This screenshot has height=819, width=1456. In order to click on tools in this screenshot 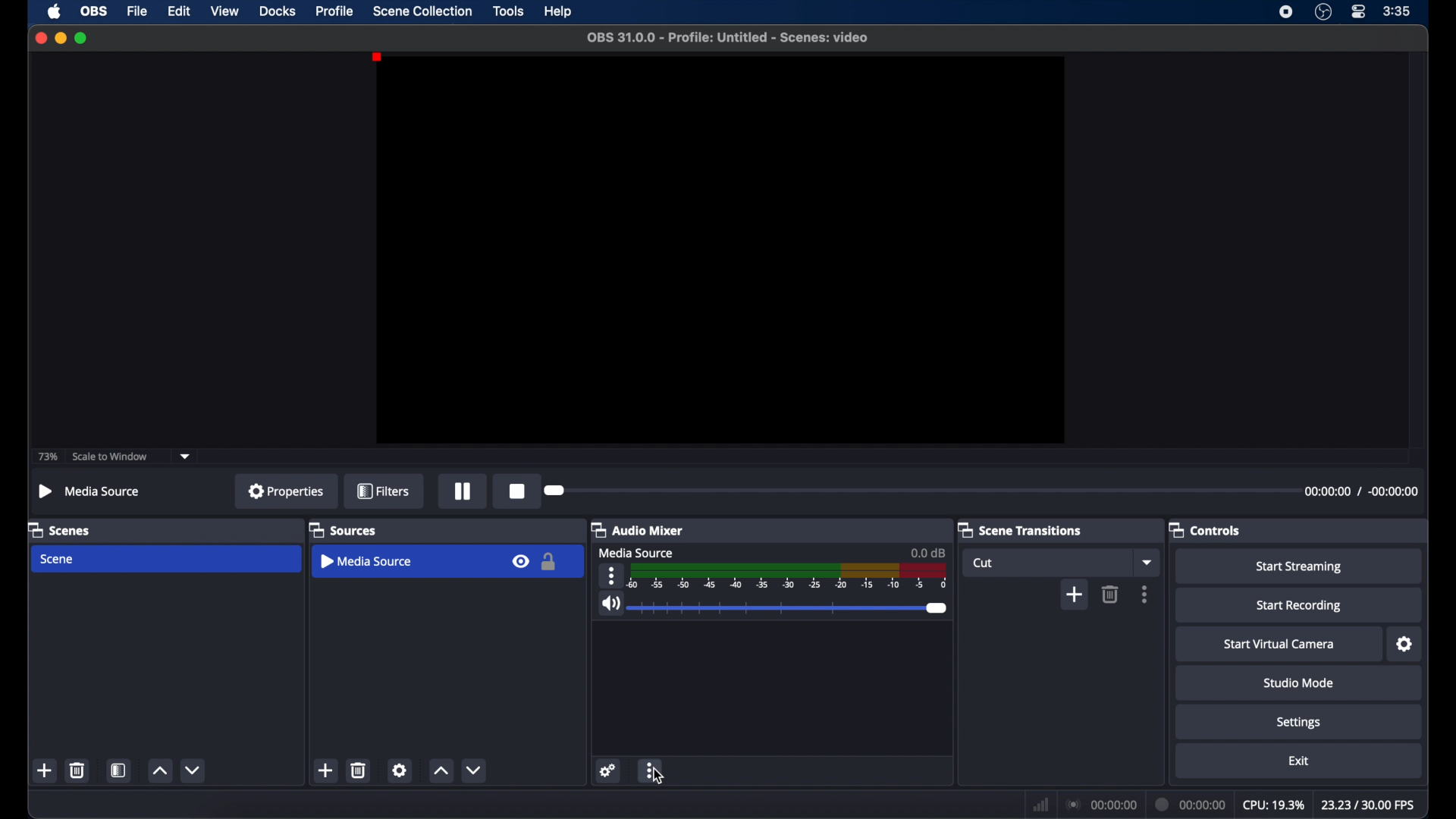, I will do `click(508, 11)`.